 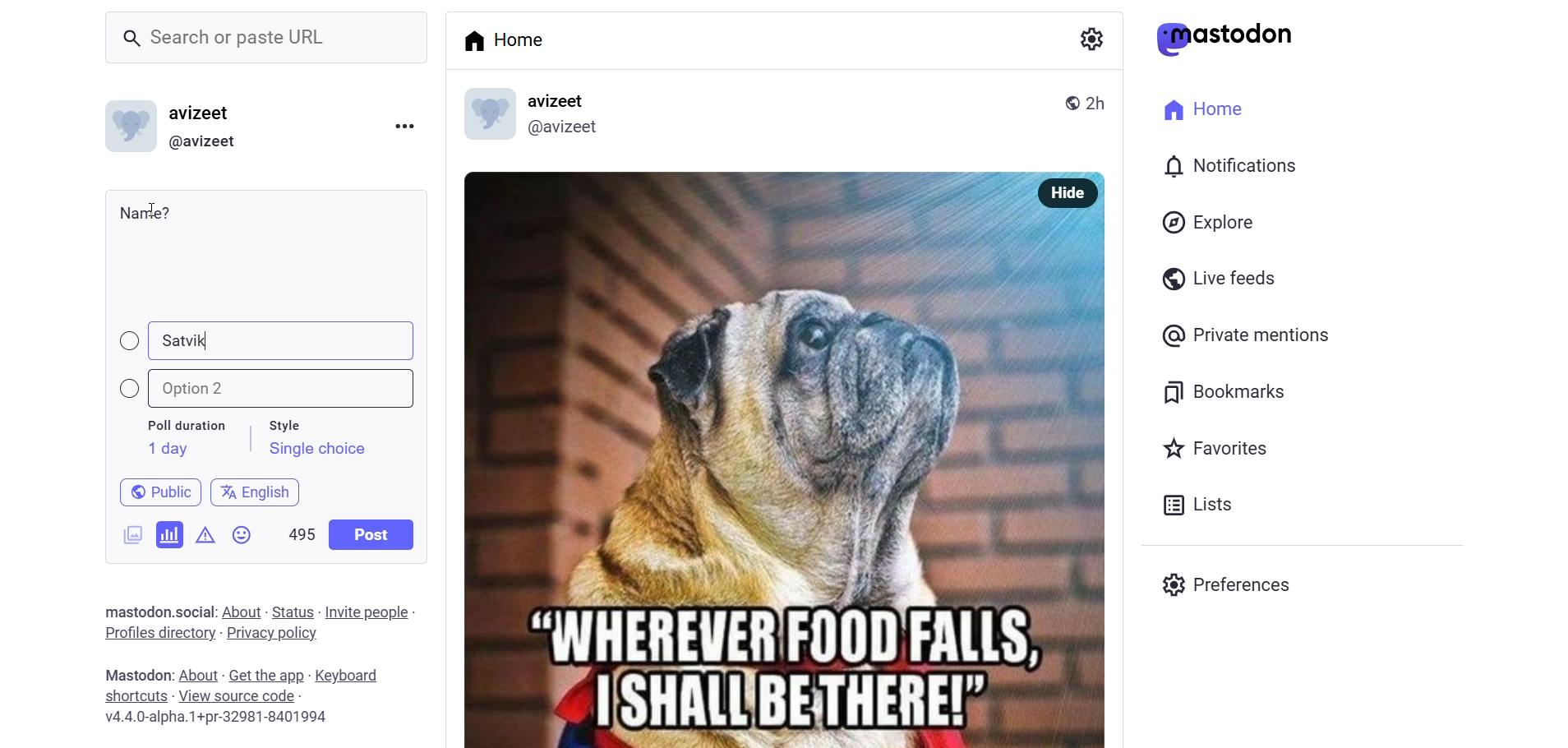 What do you see at coordinates (126, 130) in the screenshot?
I see `id` at bounding box center [126, 130].